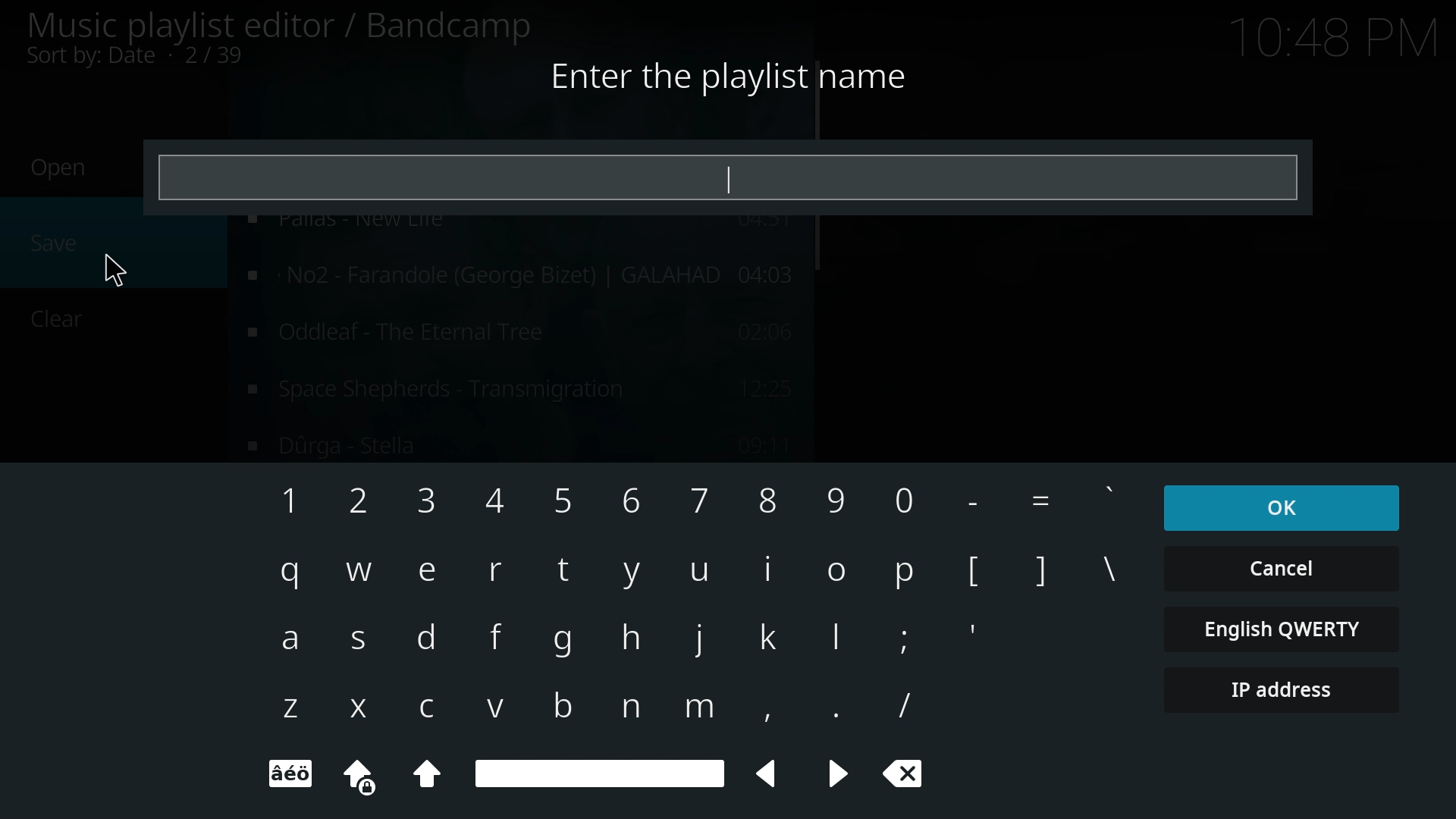 This screenshot has width=1456, height=819. I want to click on music playlist editor/bandicamp, so click(284, 36).